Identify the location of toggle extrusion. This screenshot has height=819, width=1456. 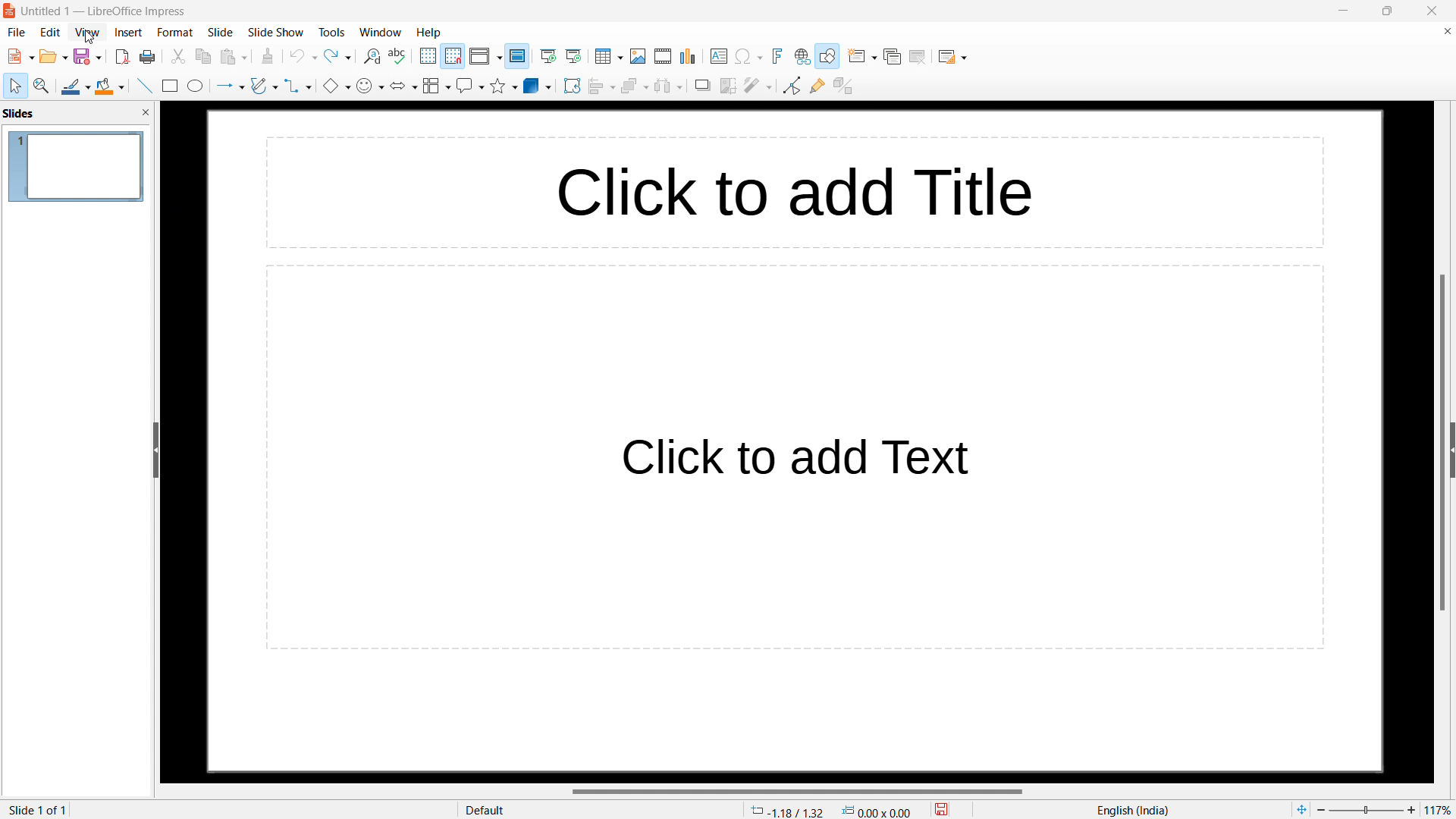
(843, 86).